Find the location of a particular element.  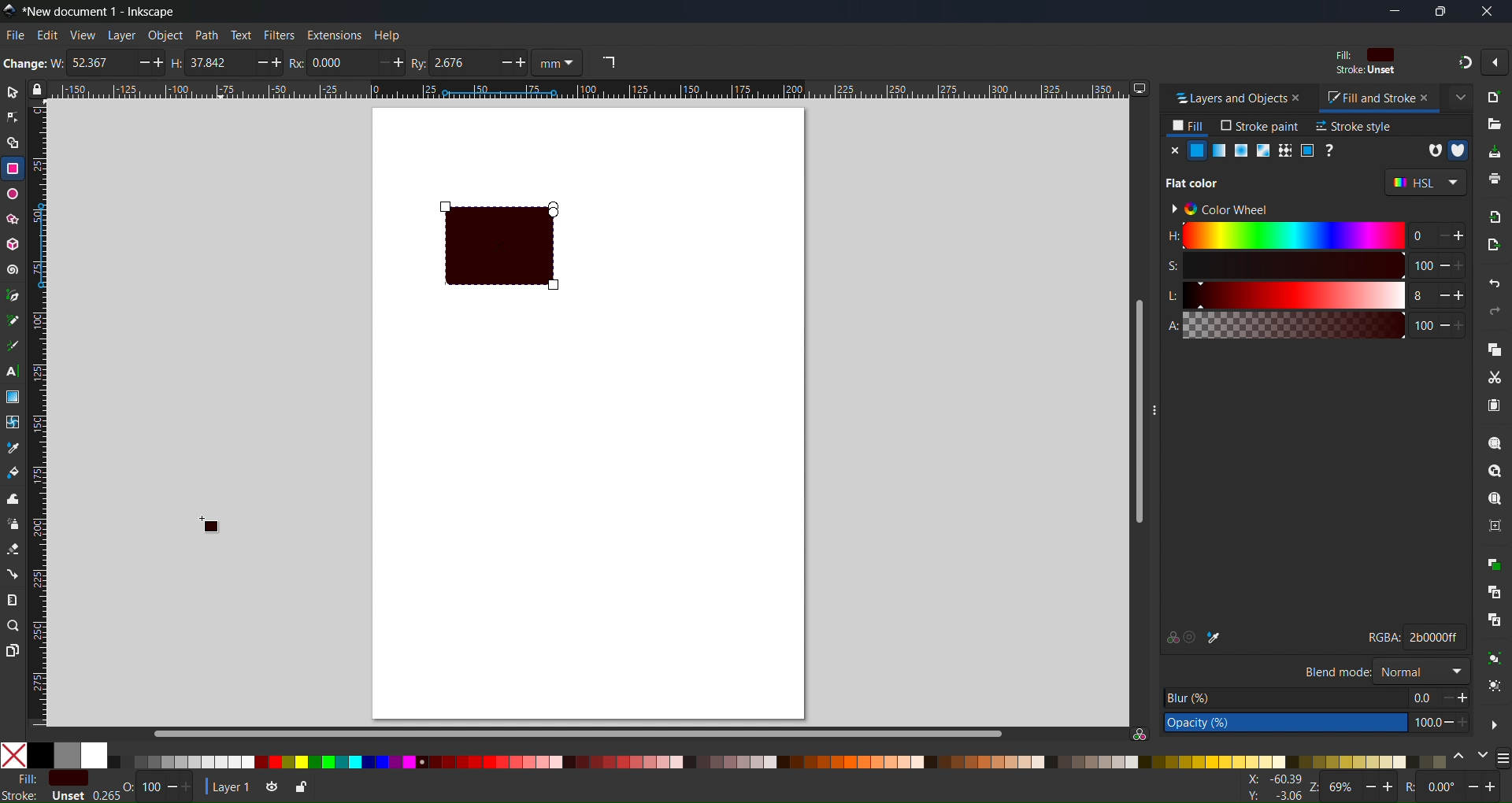

edit Opacity level is located at coordinates (1285, 723).